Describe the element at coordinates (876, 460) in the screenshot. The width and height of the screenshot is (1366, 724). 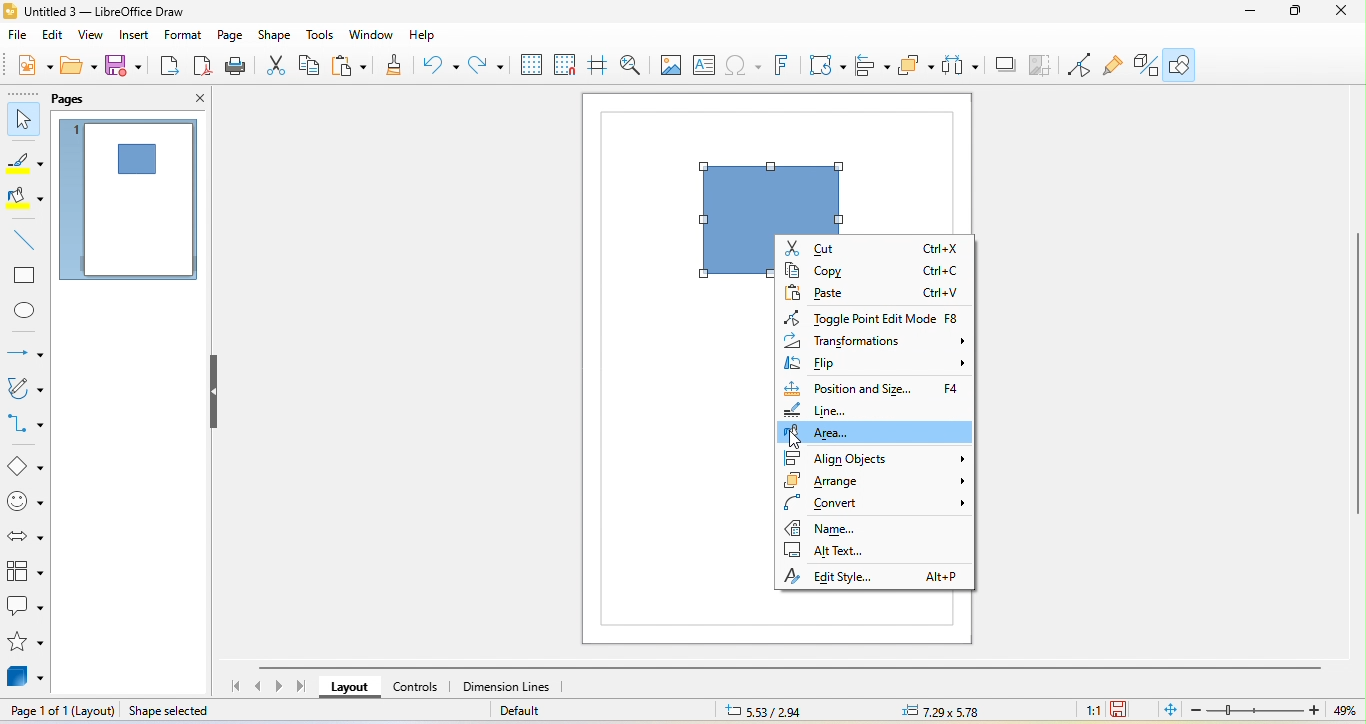
I see `align objects` at that location.